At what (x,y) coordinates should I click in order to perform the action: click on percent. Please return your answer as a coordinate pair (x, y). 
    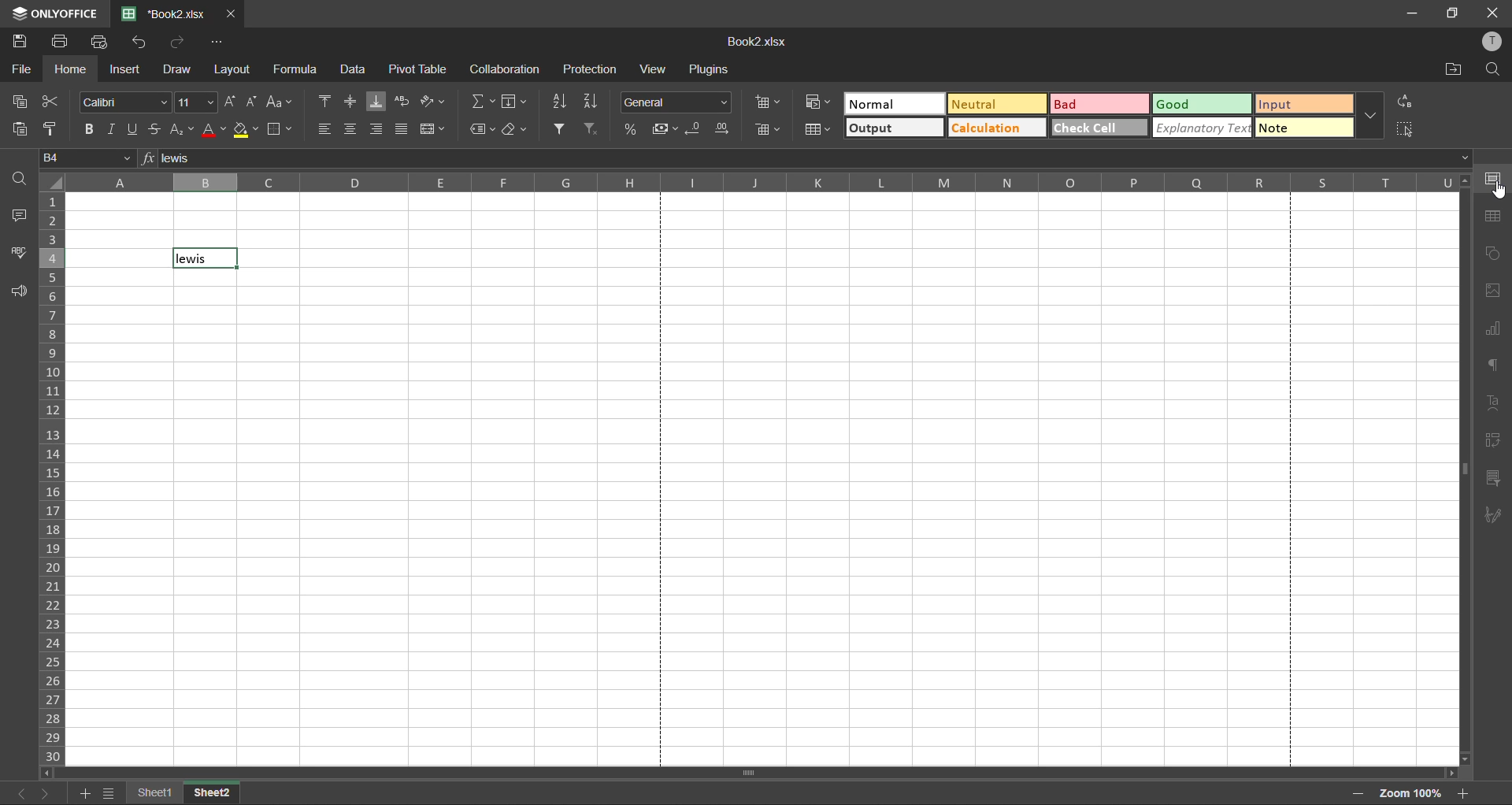
    Looking at the image, I should click on (632, 129).